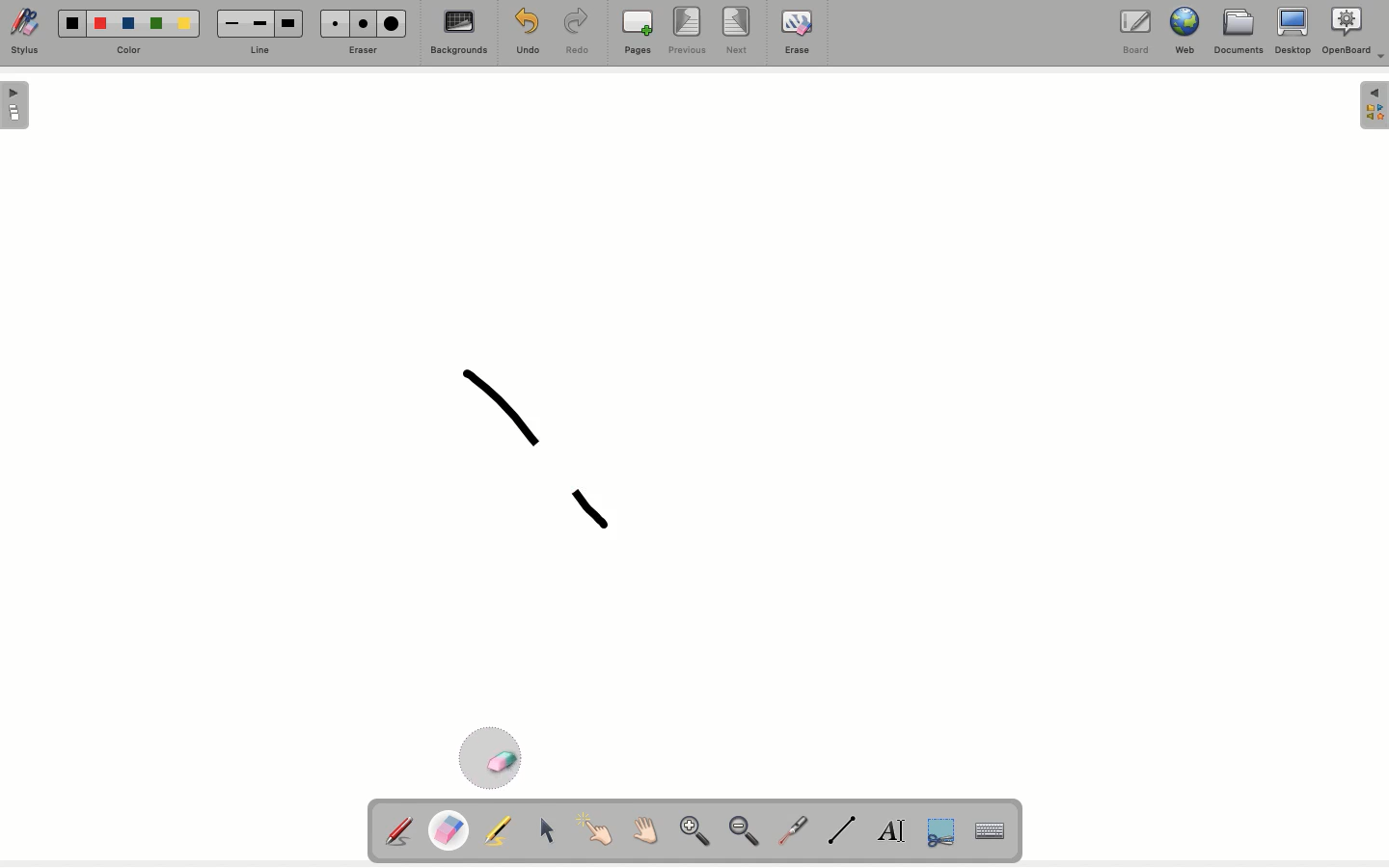 This screenshot has width=1389, height=868. Describe the element at coordinates (1238, 35) in the screenshot. I see `Documents` at that location.